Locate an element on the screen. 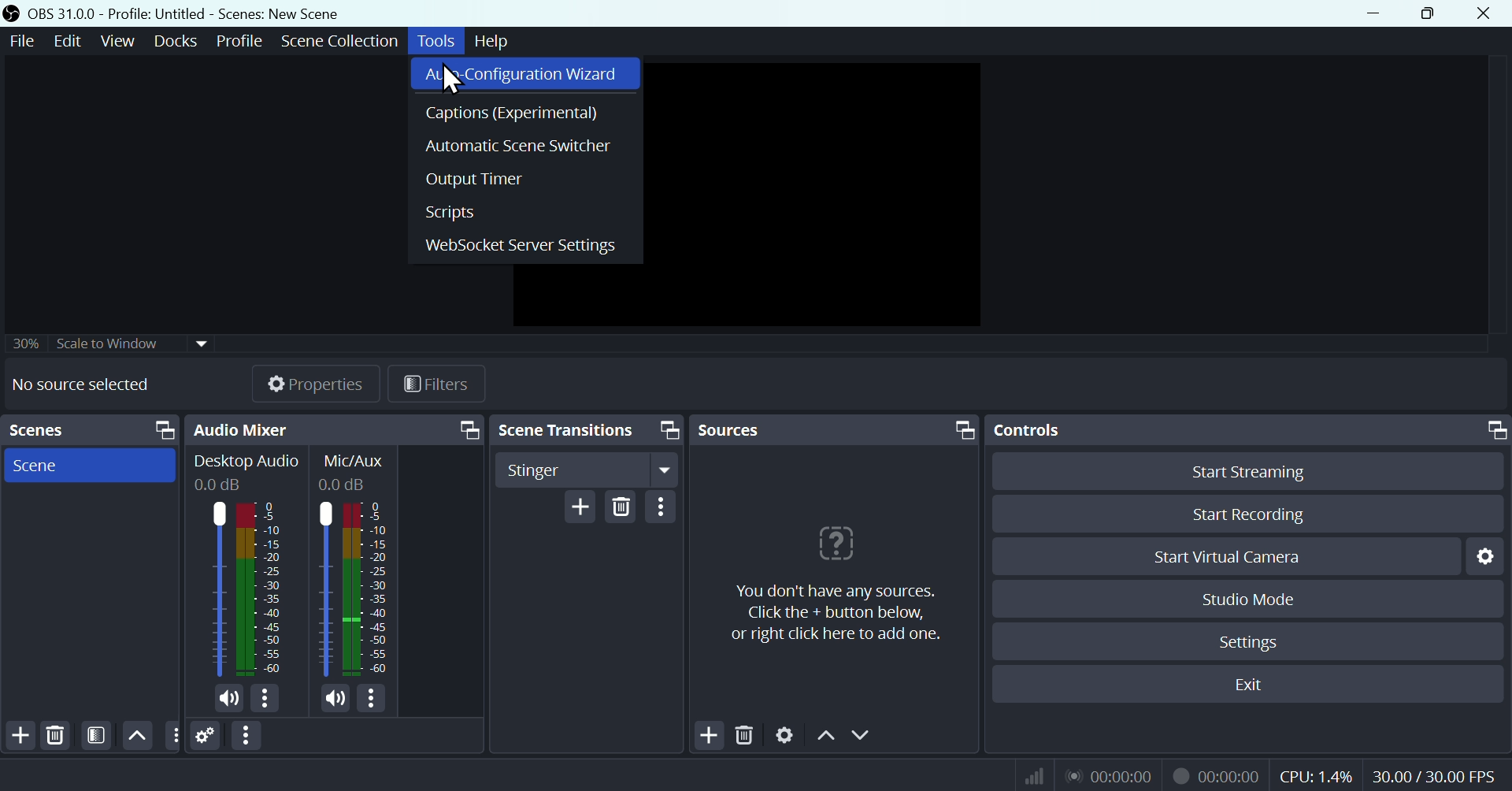 This screenshot has height=791, width=1512. Auto configuration wizard is located at coordinates (525, 73).